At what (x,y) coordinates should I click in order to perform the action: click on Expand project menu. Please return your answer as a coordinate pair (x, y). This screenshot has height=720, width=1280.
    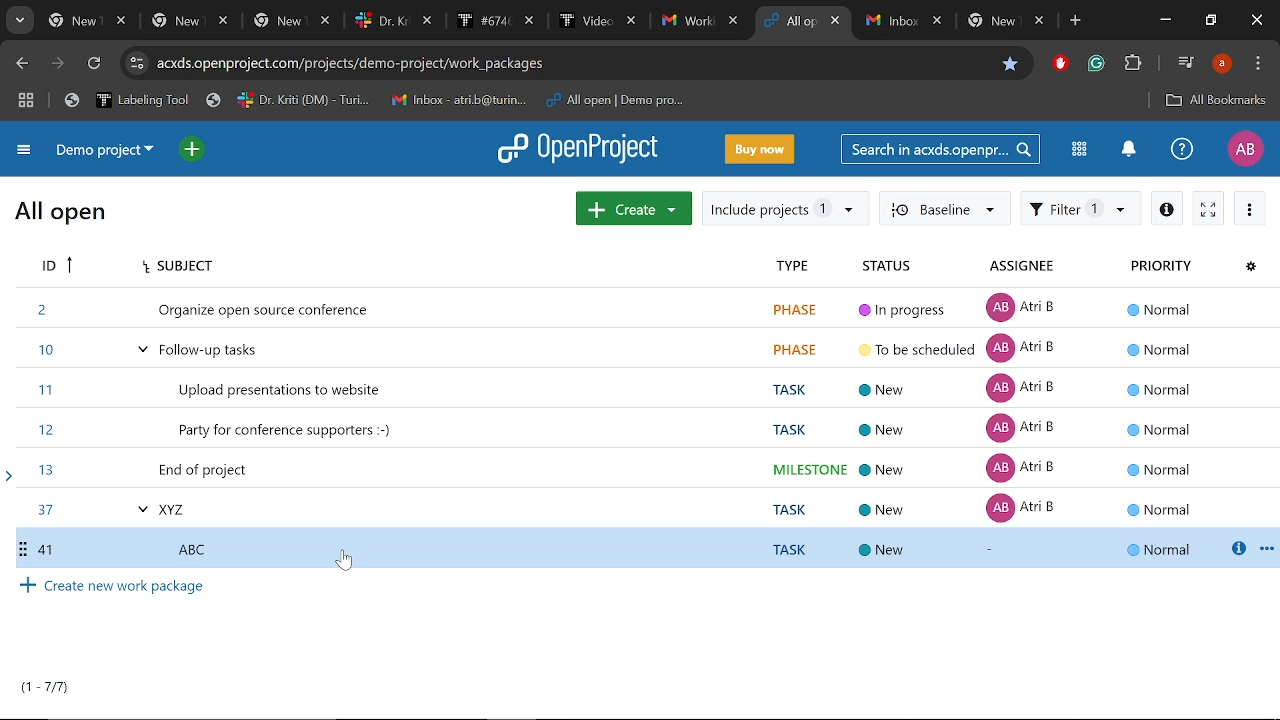
    Looking at the image, I should click on (24, 152).